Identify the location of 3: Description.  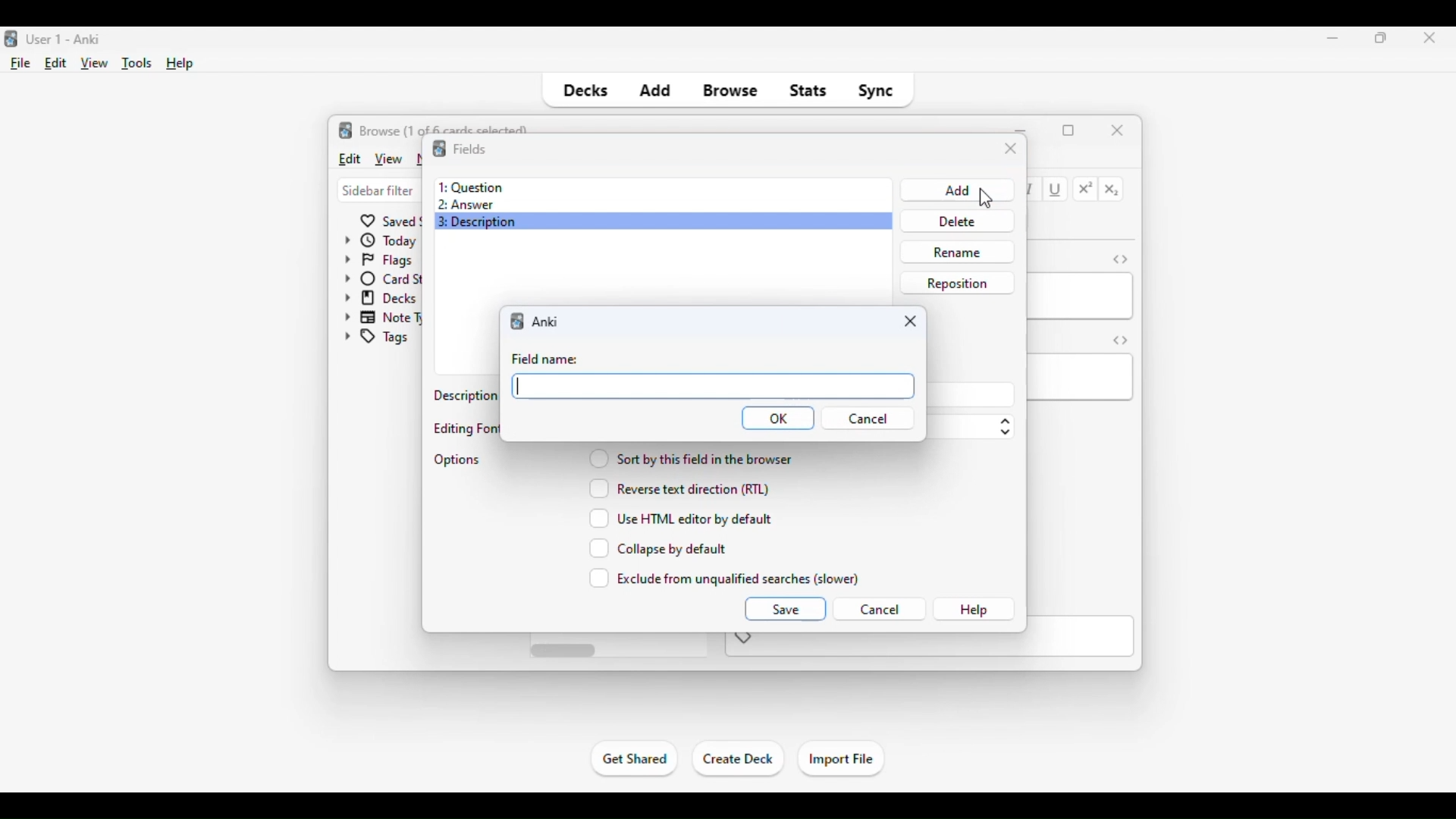
(483, 221).